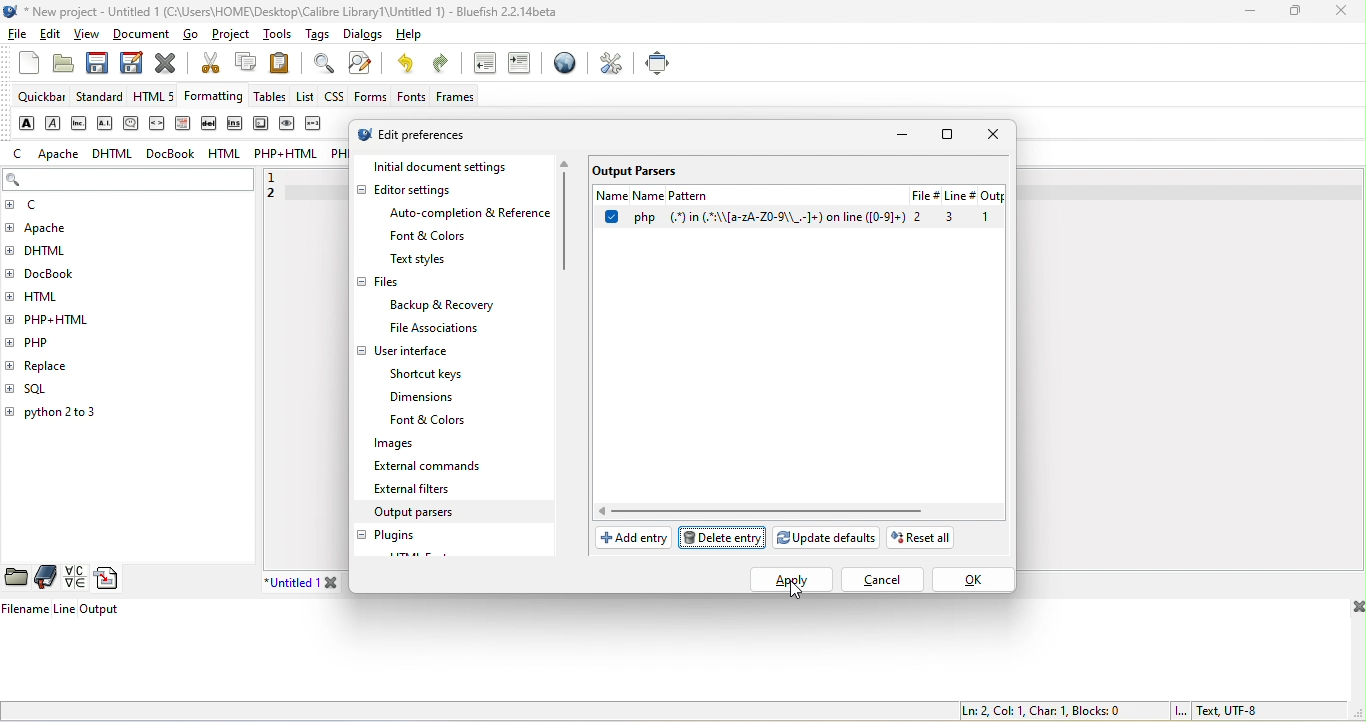 This screenshot has width=1366, height=722. Describe the element at coordinates (62, 64) in the screenshot. I see `open` at that location.